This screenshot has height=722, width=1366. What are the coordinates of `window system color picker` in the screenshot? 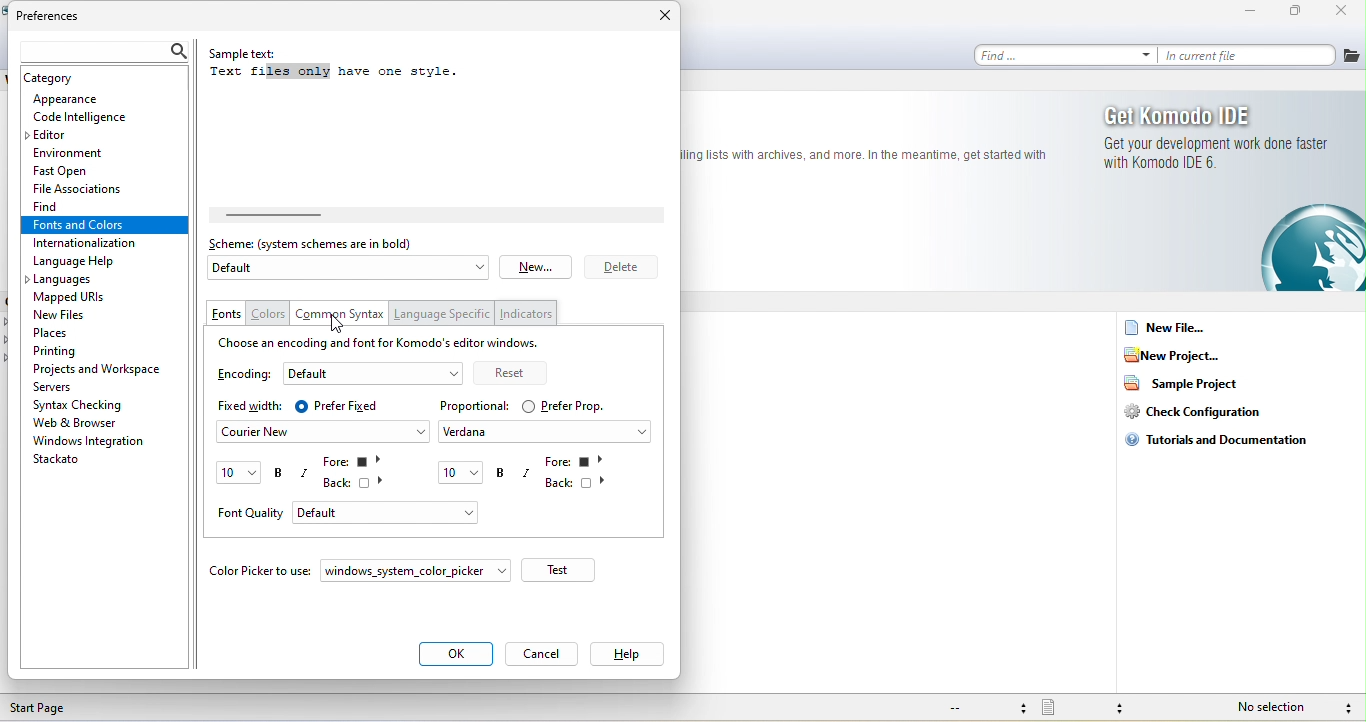 It's located at (419, 570).